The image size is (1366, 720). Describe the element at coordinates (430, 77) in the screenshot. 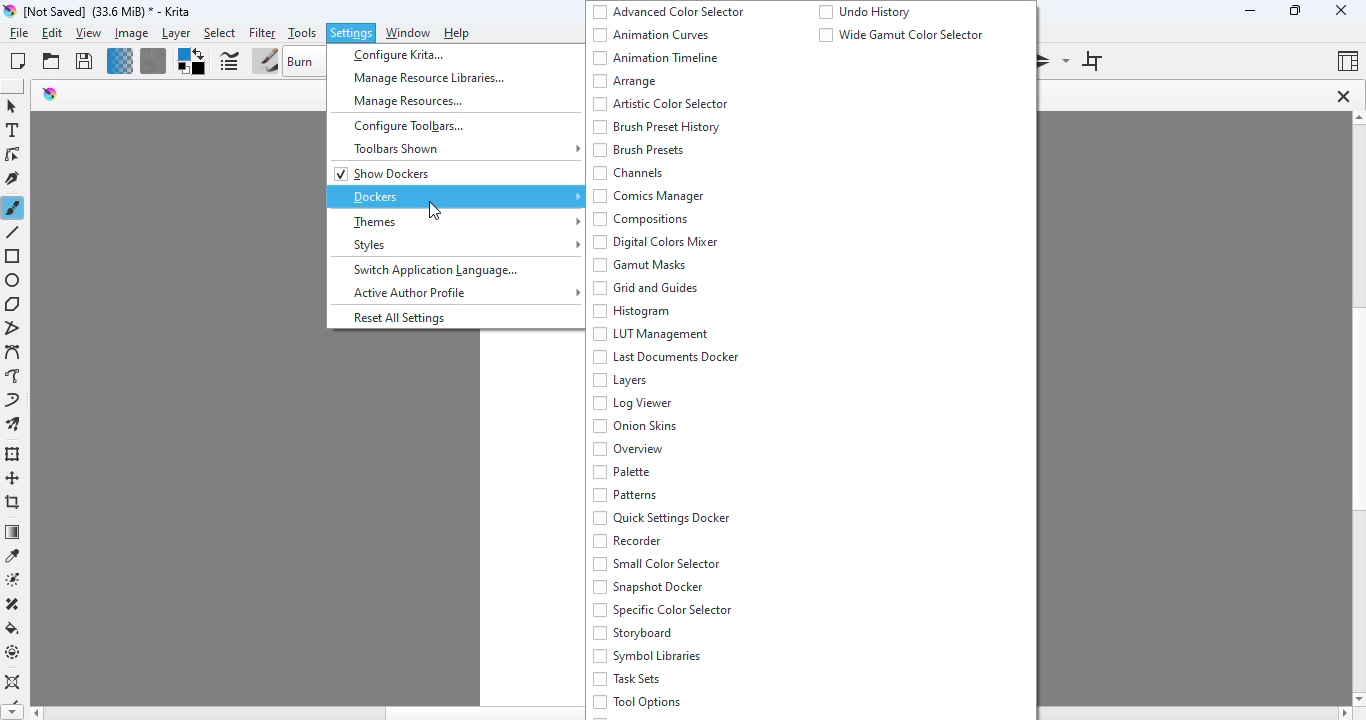

I see `manage resource libraries` at that location.